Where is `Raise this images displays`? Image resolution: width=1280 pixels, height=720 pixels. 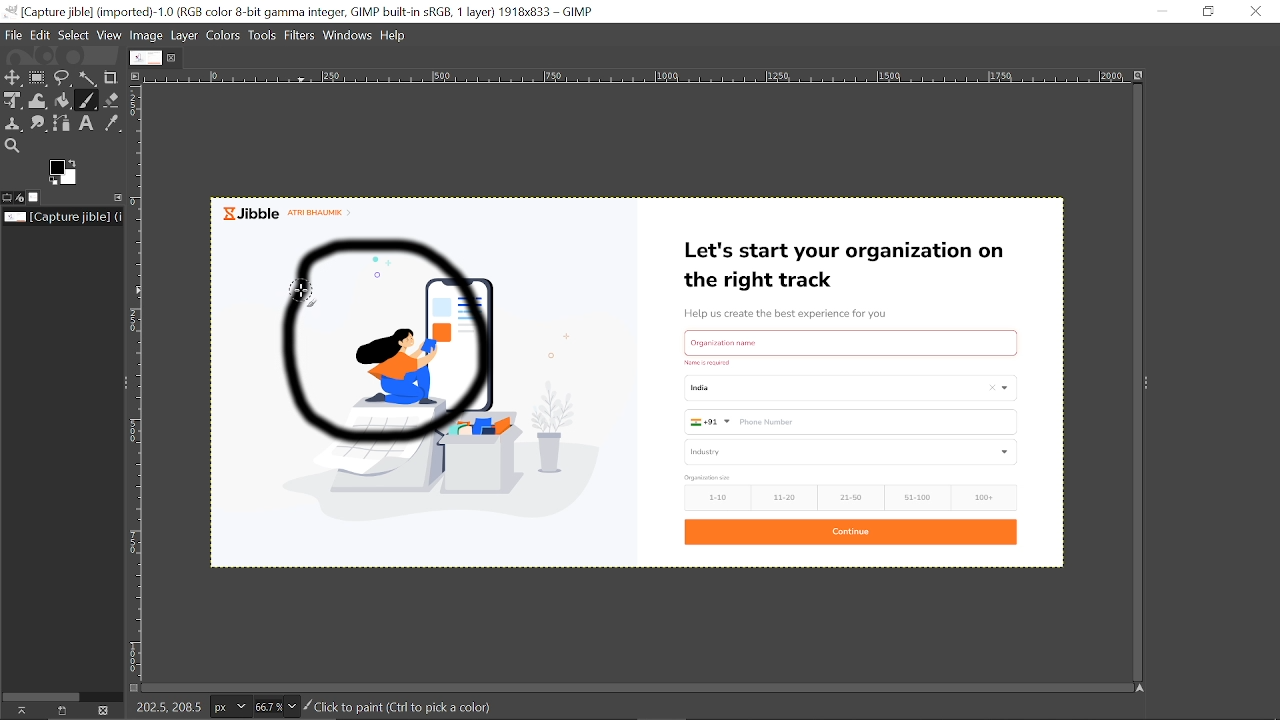 Raise this images displays is located at coordinates (19, 710).